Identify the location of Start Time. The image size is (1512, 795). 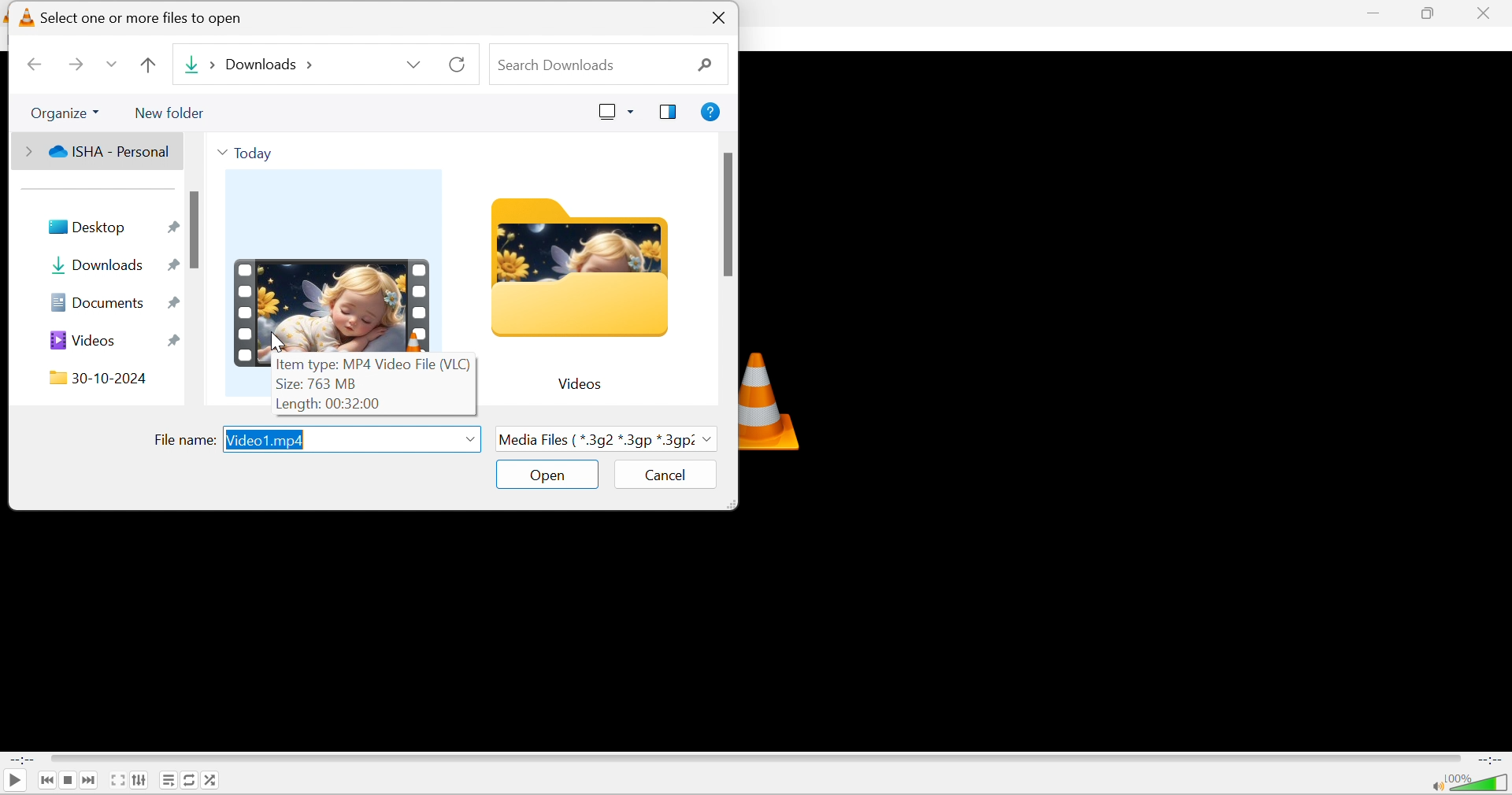
(21, 762).